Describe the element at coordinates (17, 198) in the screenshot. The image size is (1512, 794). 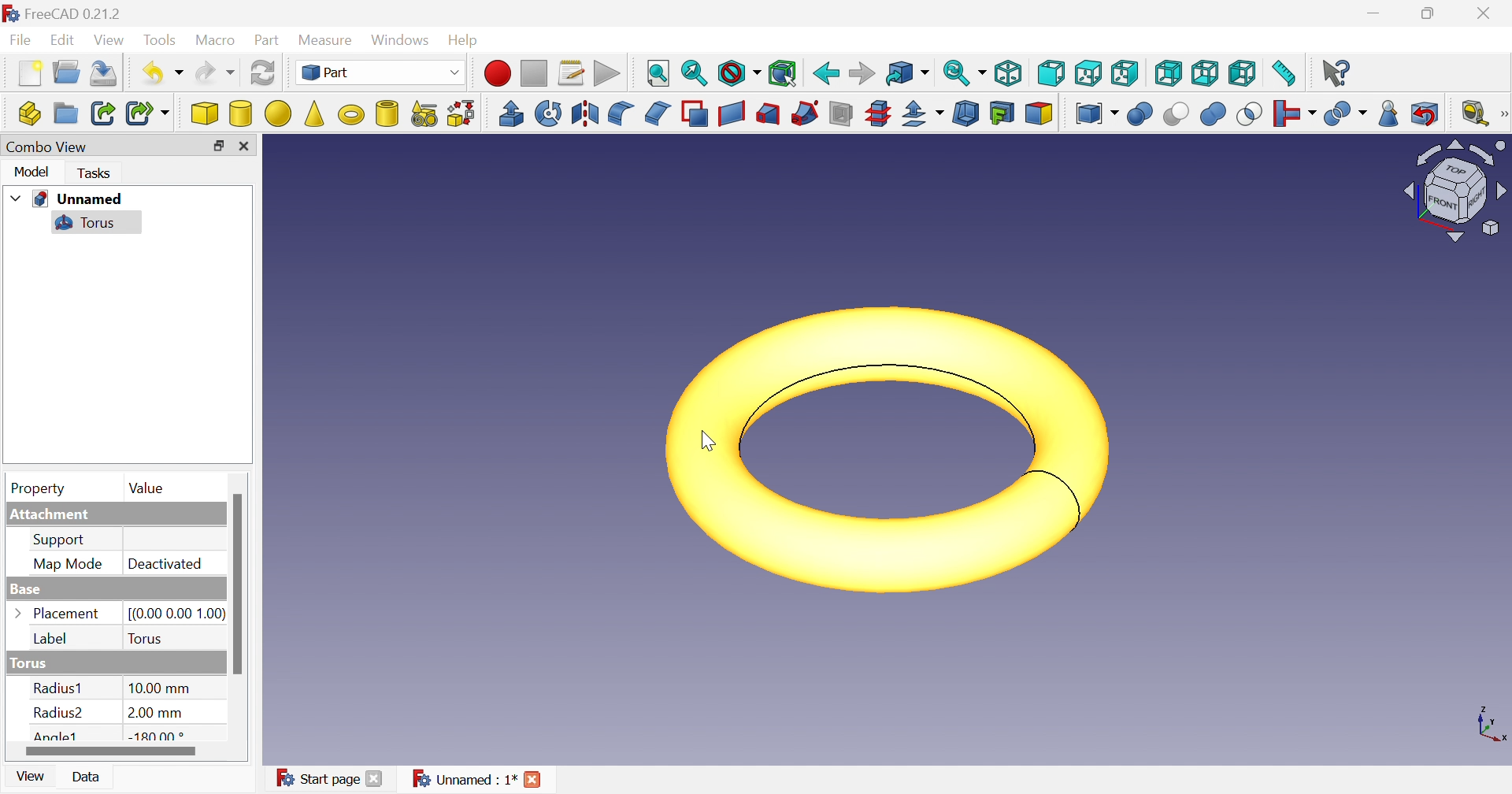
I see `Drop down` at that location.